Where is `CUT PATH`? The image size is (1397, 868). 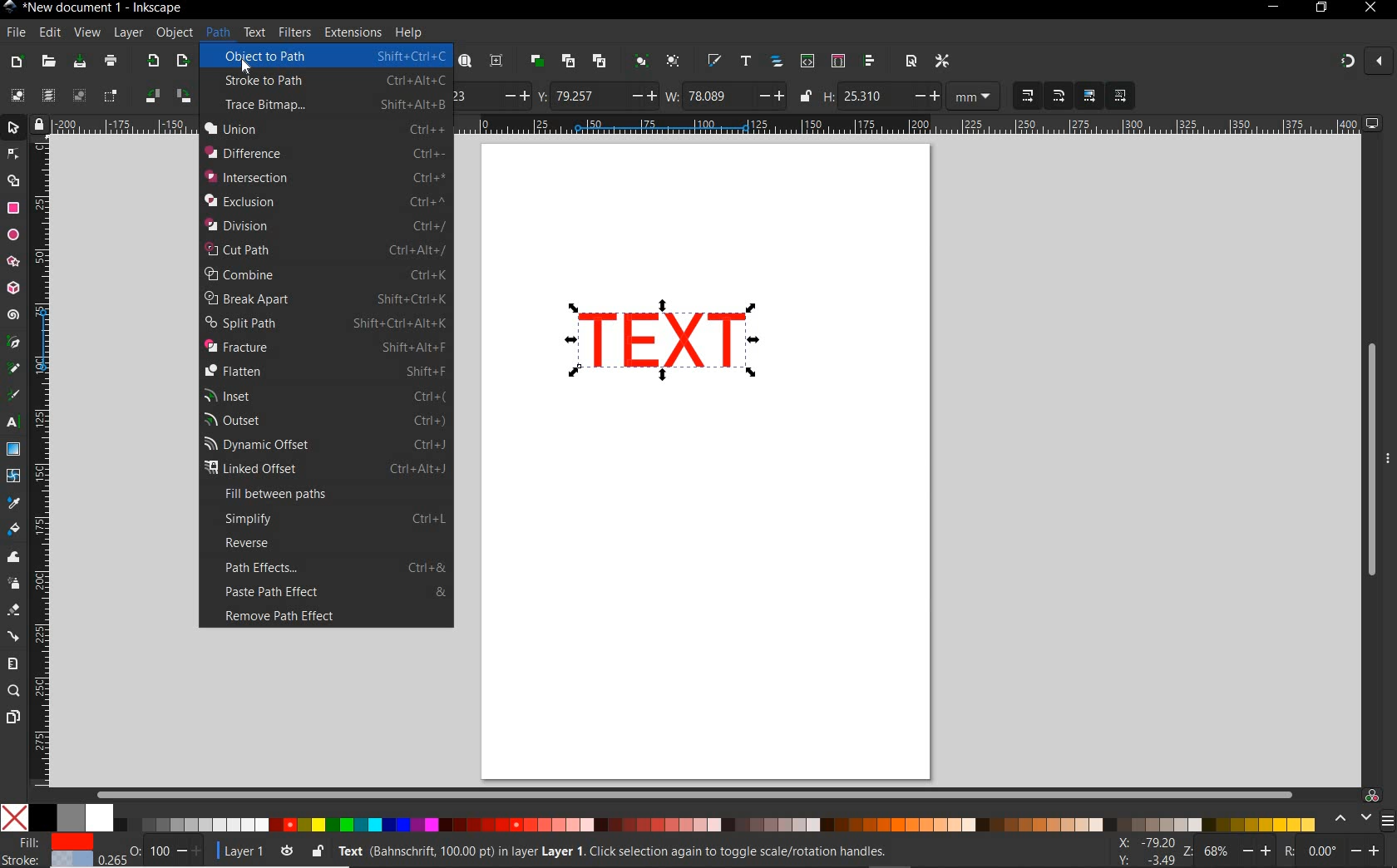 CUT PATH is located at coordinates (323, 250).